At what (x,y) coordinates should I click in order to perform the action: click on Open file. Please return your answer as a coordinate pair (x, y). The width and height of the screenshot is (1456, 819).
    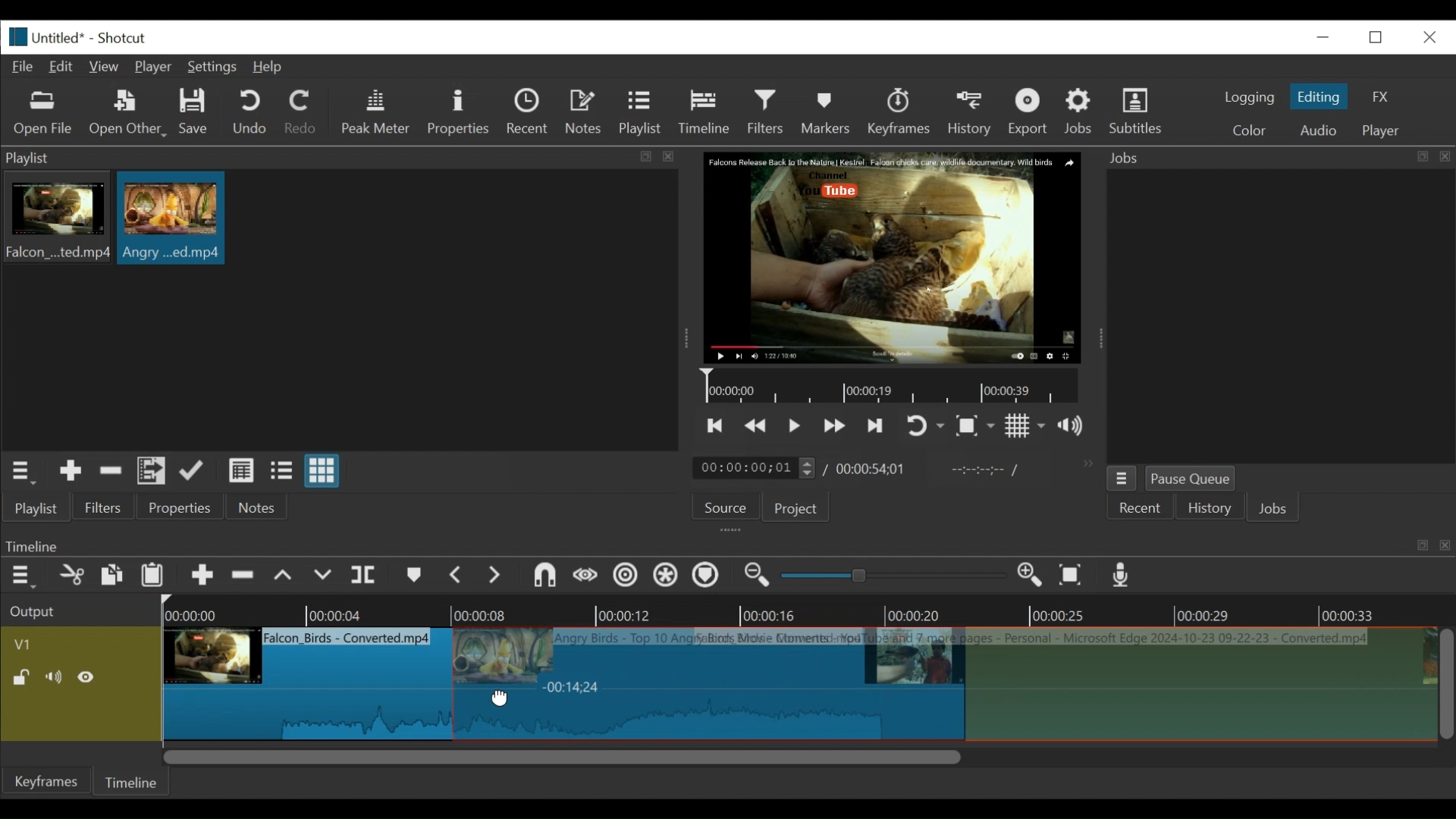
    Looking at the image, I should click on (43, 114).